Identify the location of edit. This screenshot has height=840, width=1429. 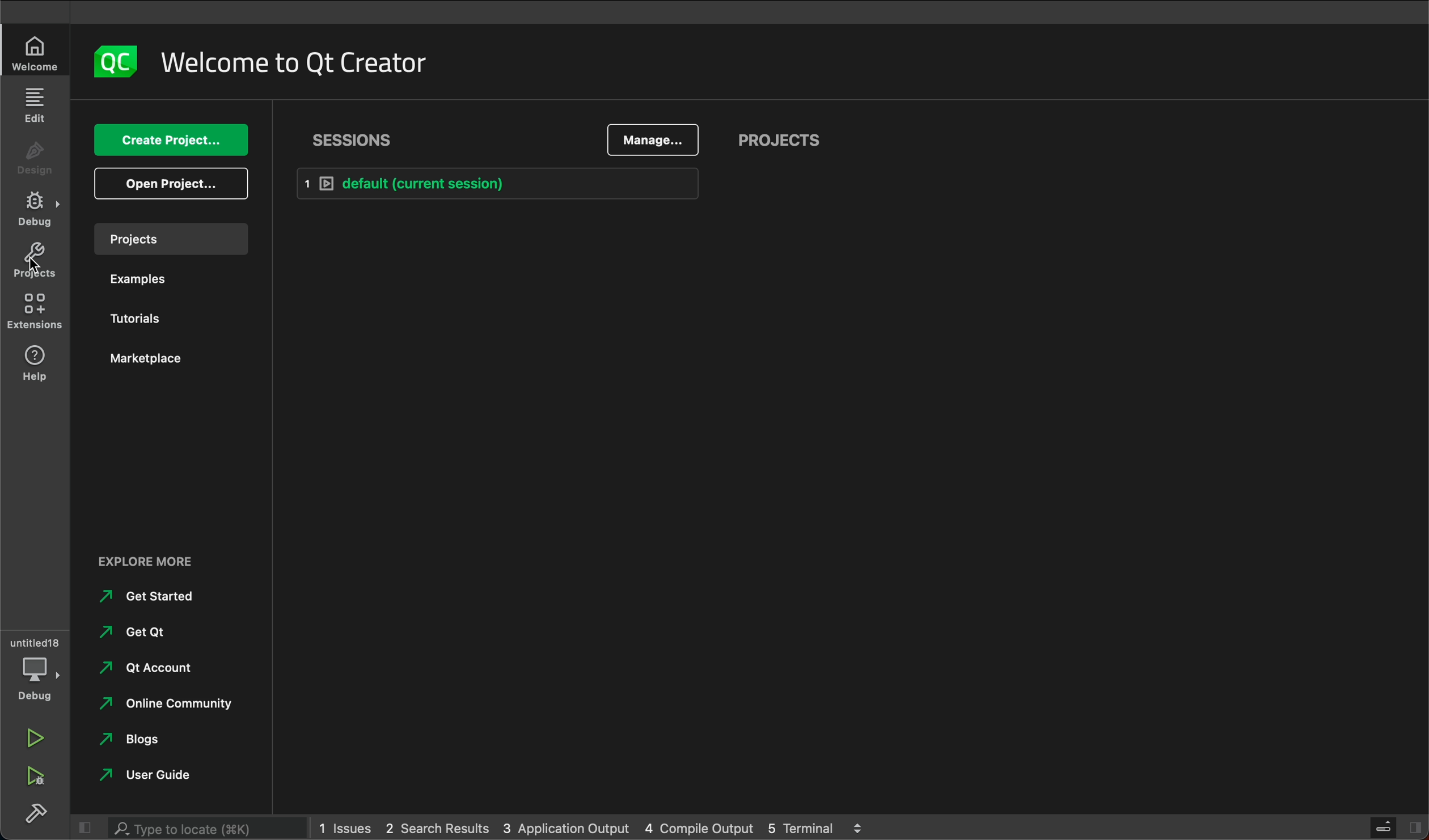
(35, 106).